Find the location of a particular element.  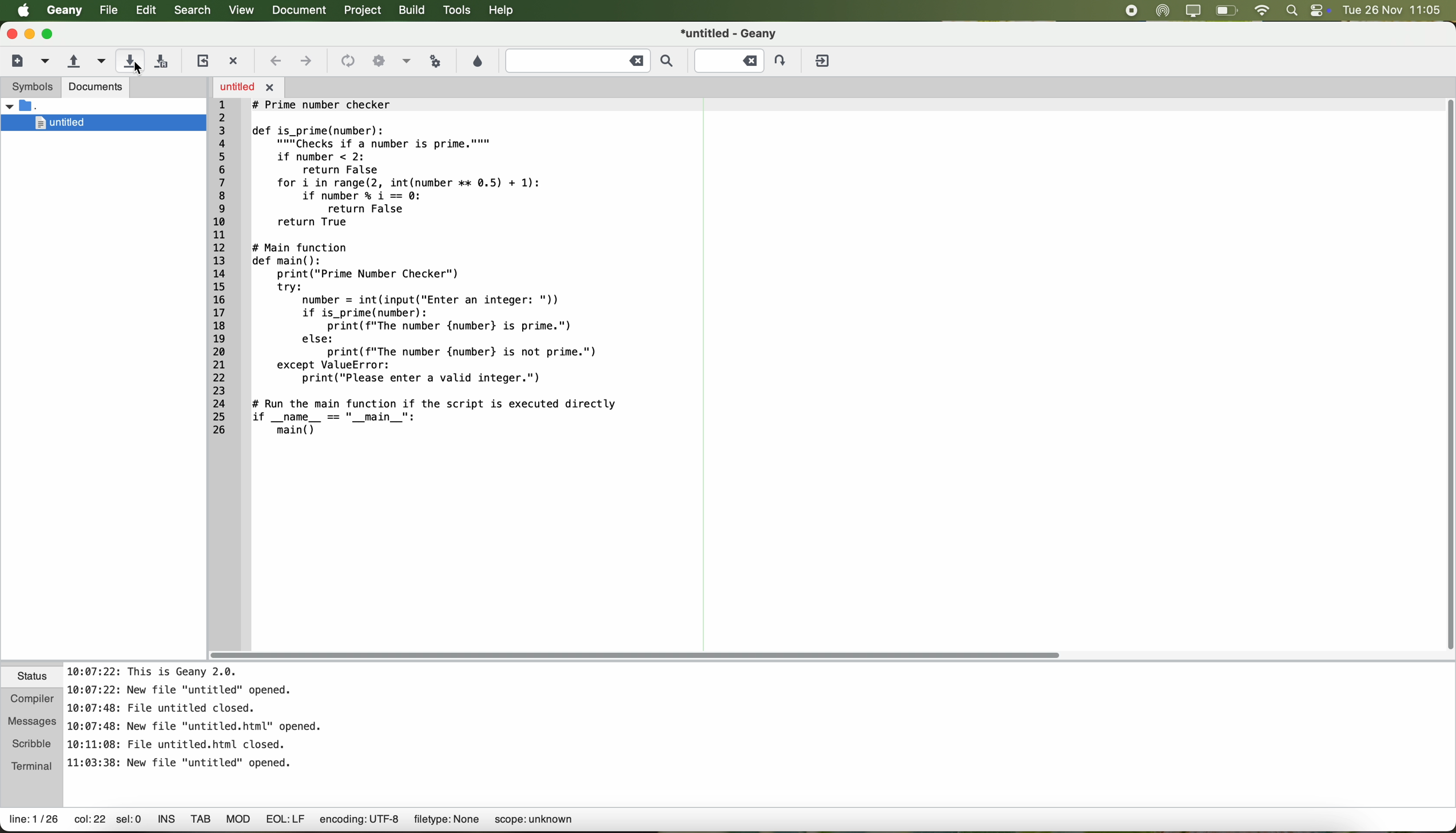

spotlight search is located at coordinates (1292, 11).